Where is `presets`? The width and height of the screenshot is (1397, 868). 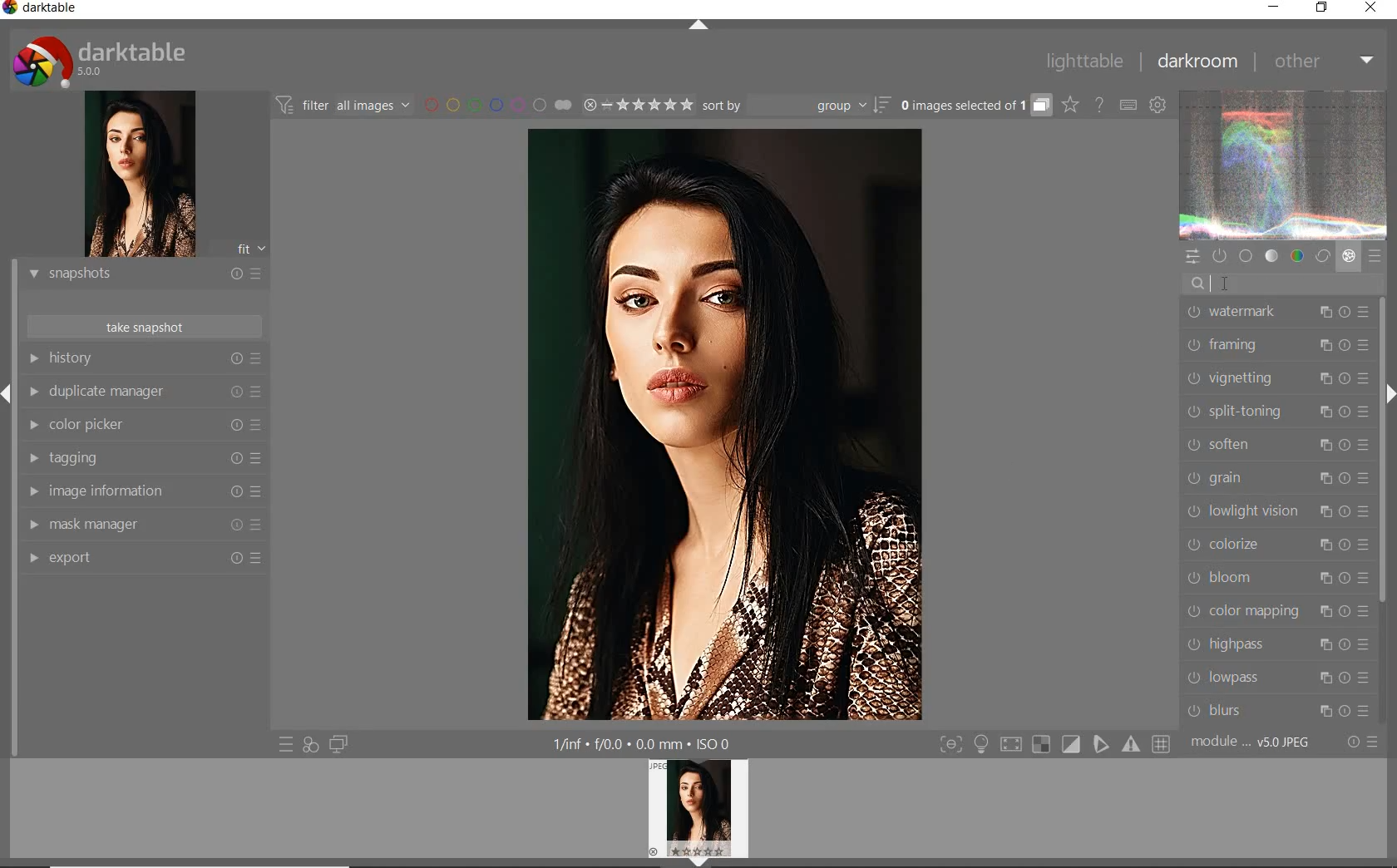 presets is located at coordinates (1376, 255).